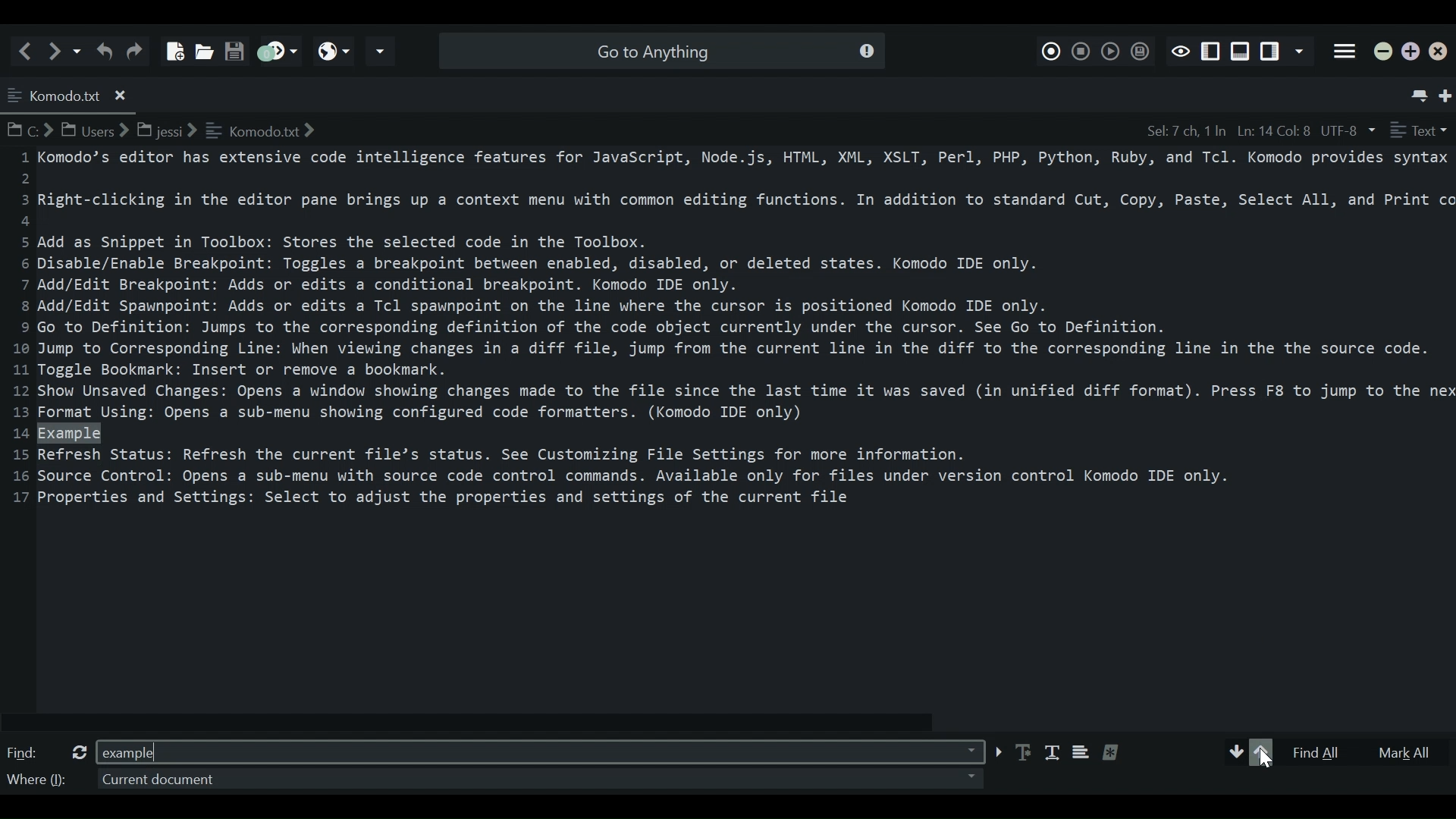 The image size is (1456, 819). I want to click on List all tabs, so click(1417, 92).